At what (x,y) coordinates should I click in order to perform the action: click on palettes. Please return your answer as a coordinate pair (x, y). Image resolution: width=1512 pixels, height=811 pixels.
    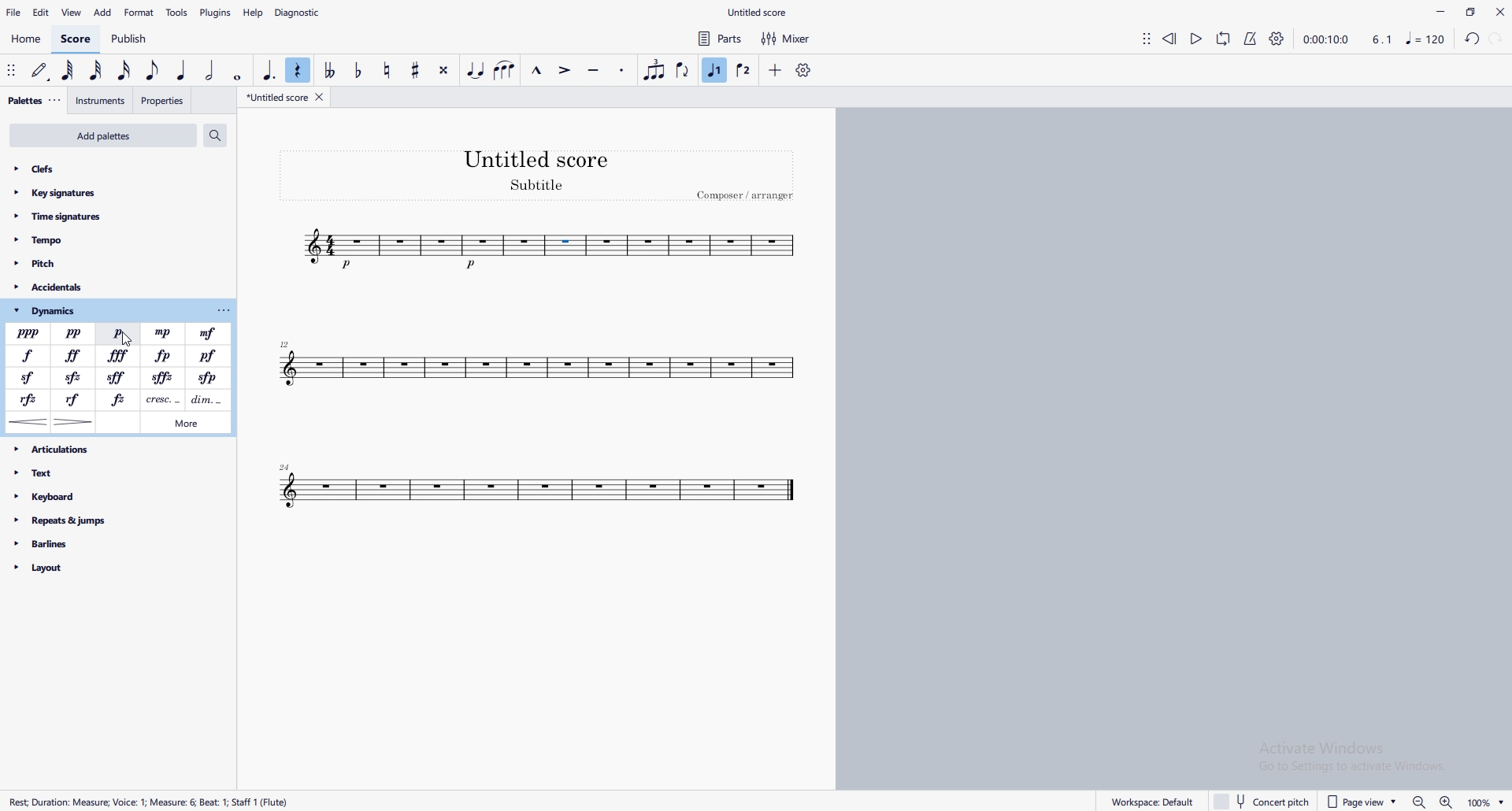
    Looking at the image, I should click on (25, 101).